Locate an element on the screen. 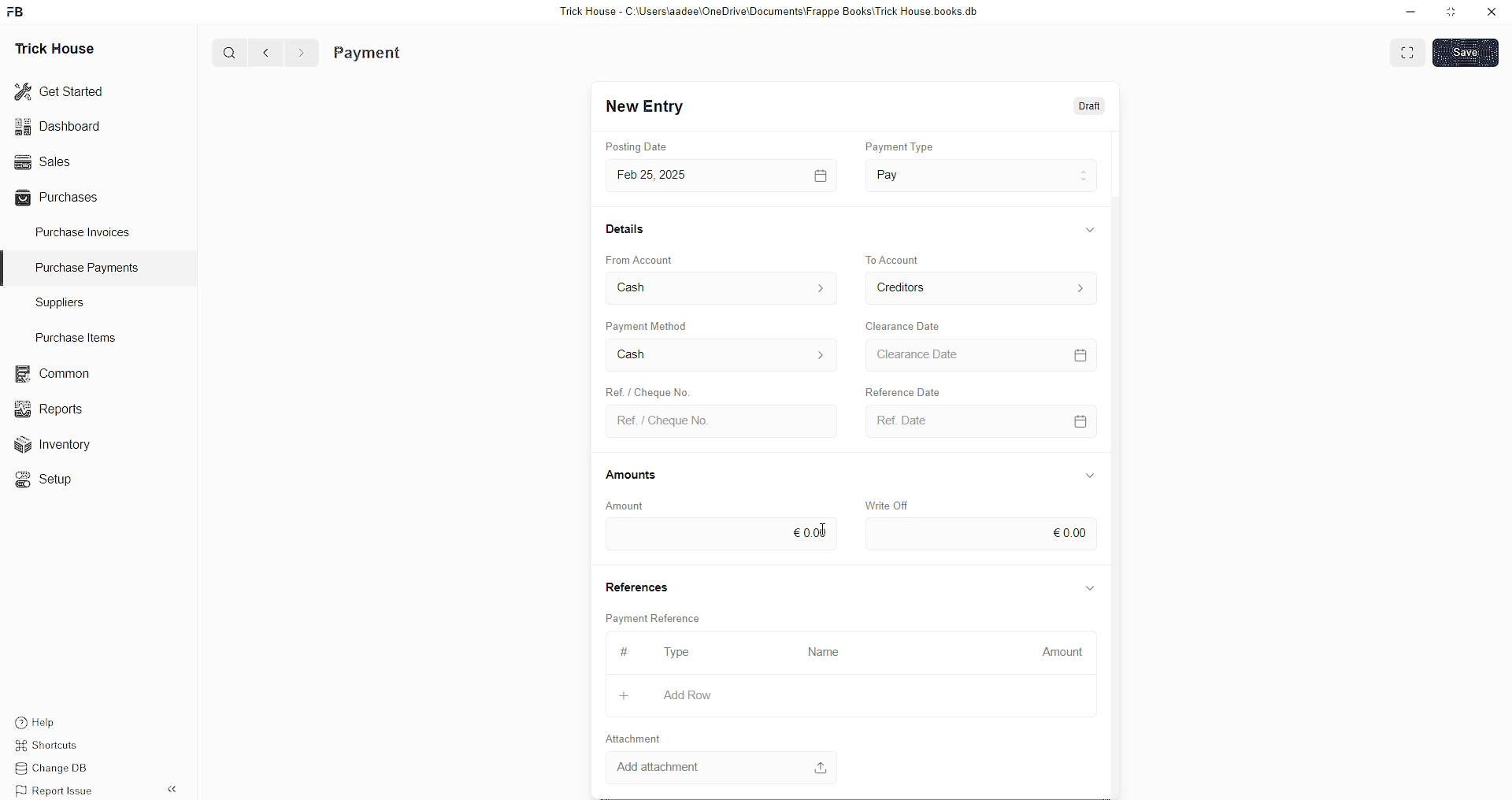 Image resolution: width=1512 pixels, height=800 pixels. Trick House - C:\Users\aadee\OneDrive\Documents\Frappe Books\Trick House books.db is located at coordinates (772, 12).